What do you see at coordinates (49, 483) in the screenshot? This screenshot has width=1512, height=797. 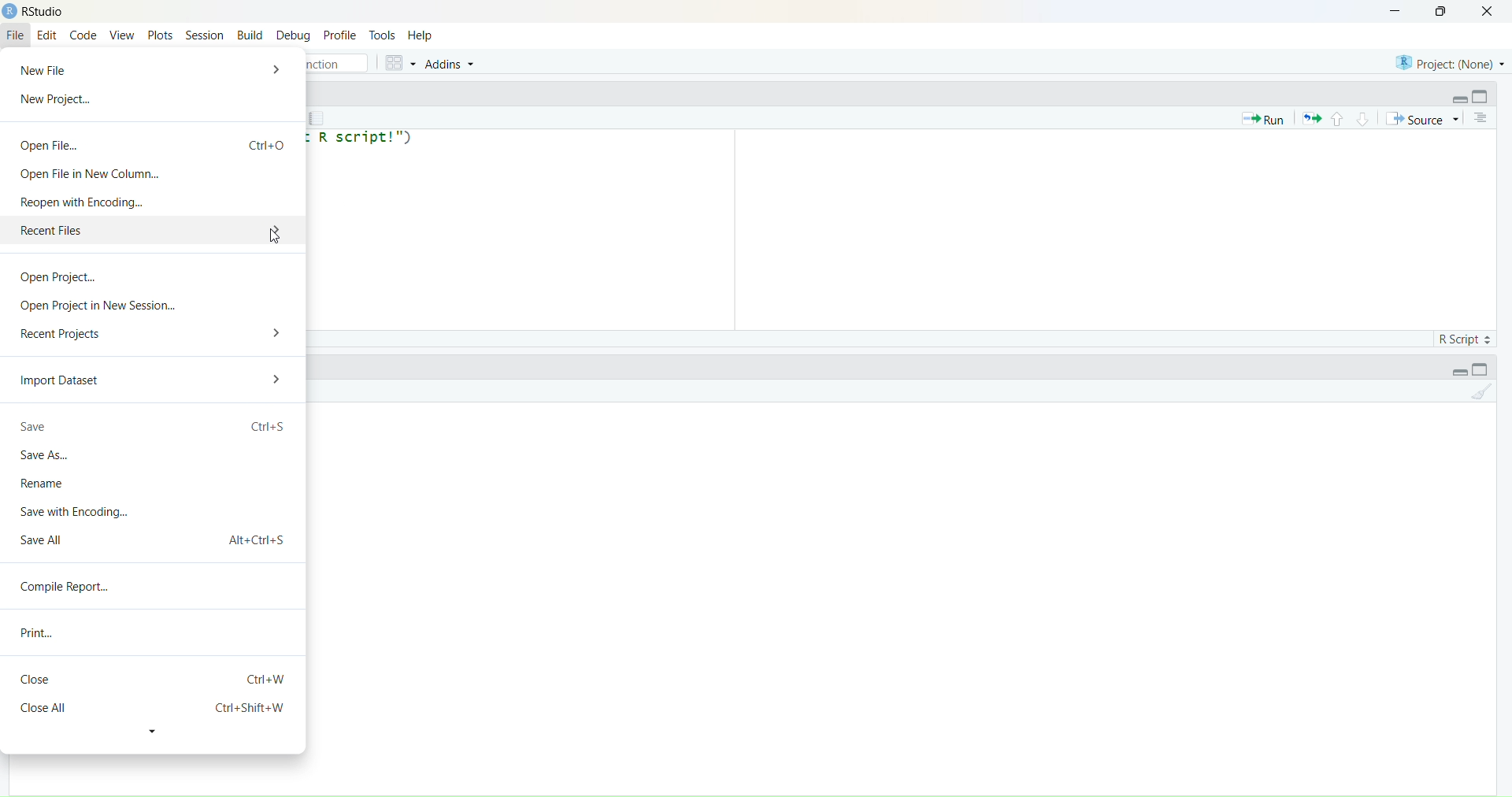 I see `Rename` at bounding box center [49, 483].